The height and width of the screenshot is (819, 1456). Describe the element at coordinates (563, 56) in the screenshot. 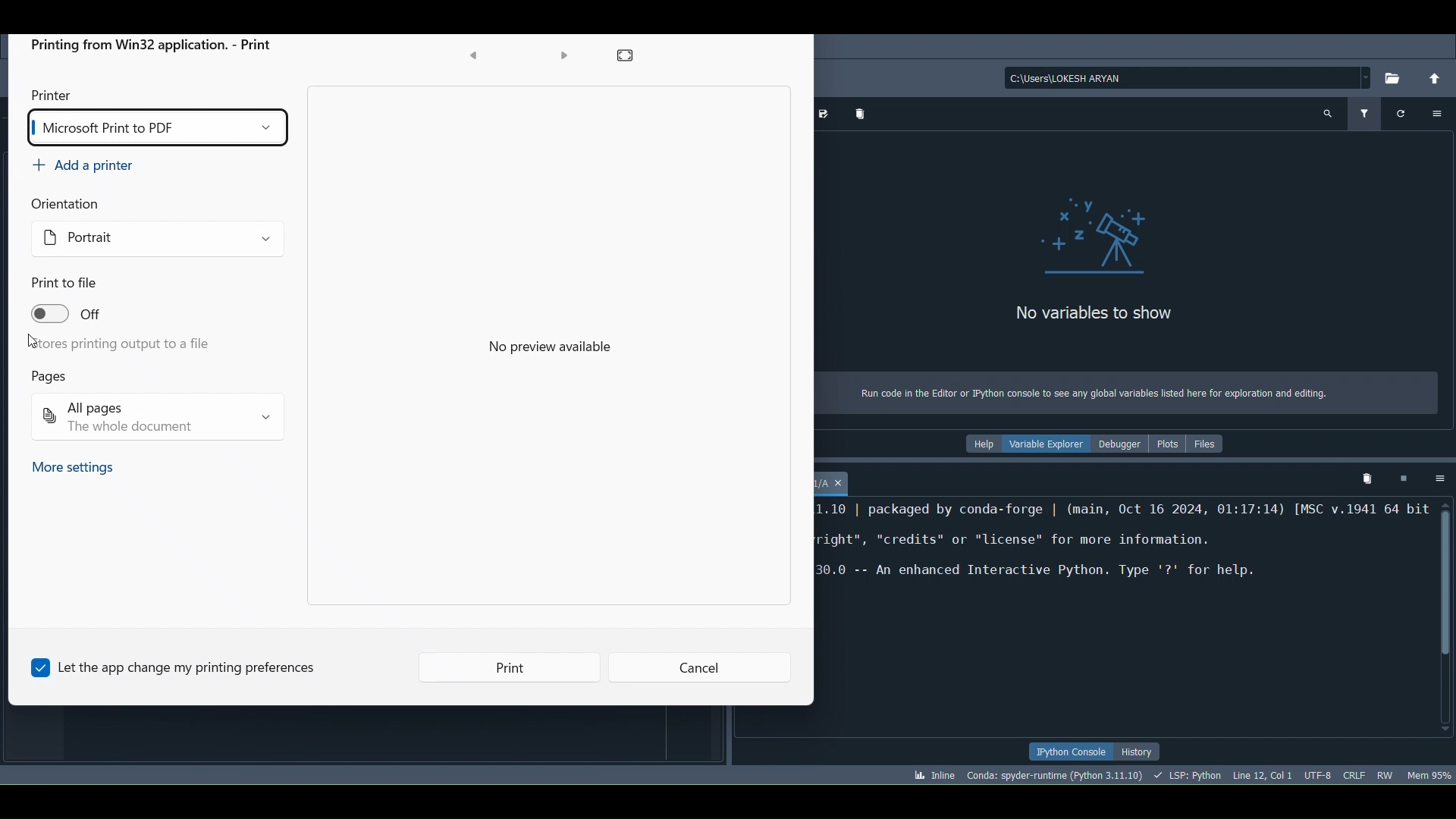

I see `Right` at that location.